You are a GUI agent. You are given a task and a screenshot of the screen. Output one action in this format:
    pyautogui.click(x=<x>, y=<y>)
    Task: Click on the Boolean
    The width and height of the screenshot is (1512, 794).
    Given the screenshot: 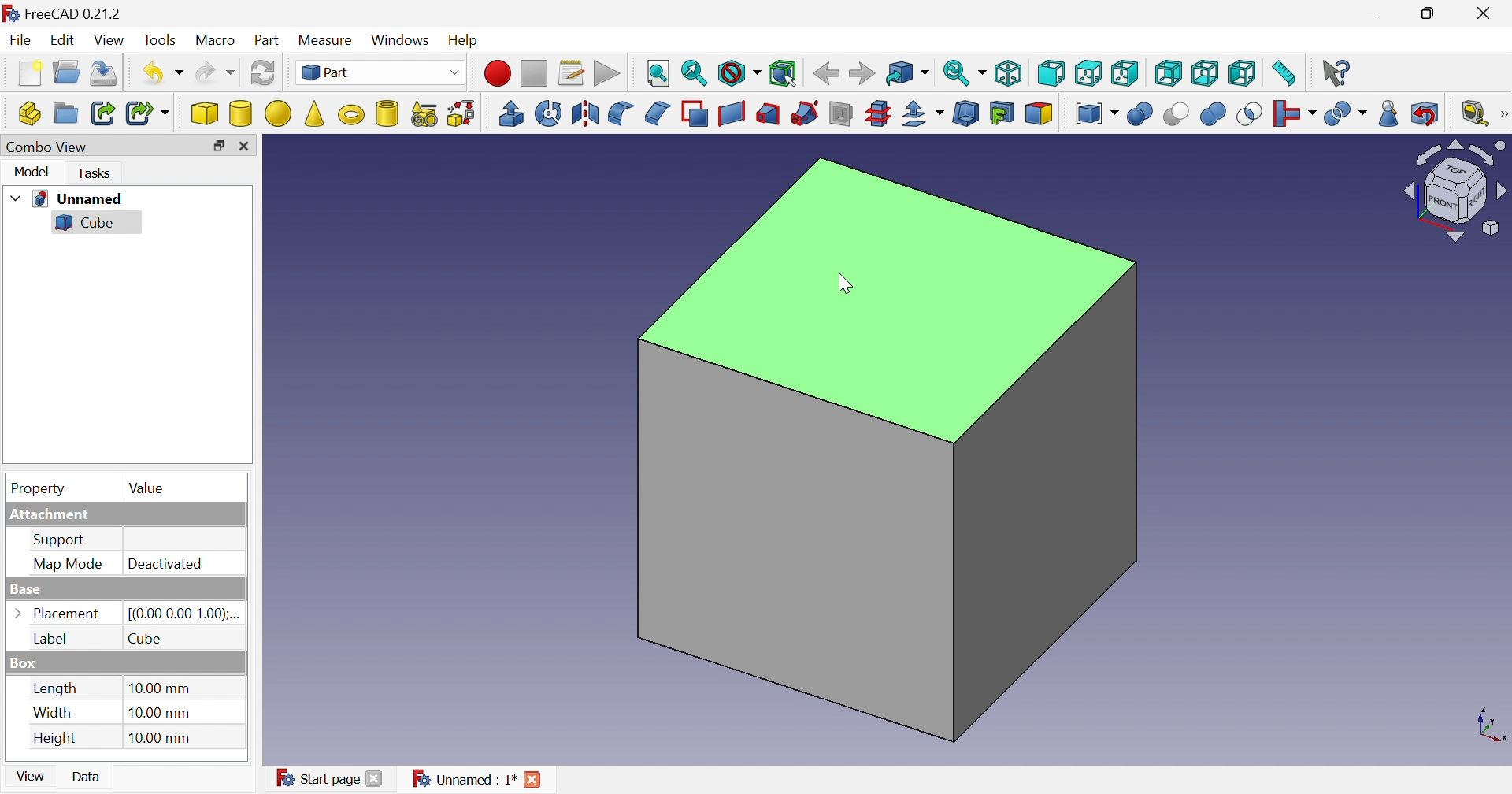 What is the action you would take?
    pyautogui.click(x=1141, y=113)
    